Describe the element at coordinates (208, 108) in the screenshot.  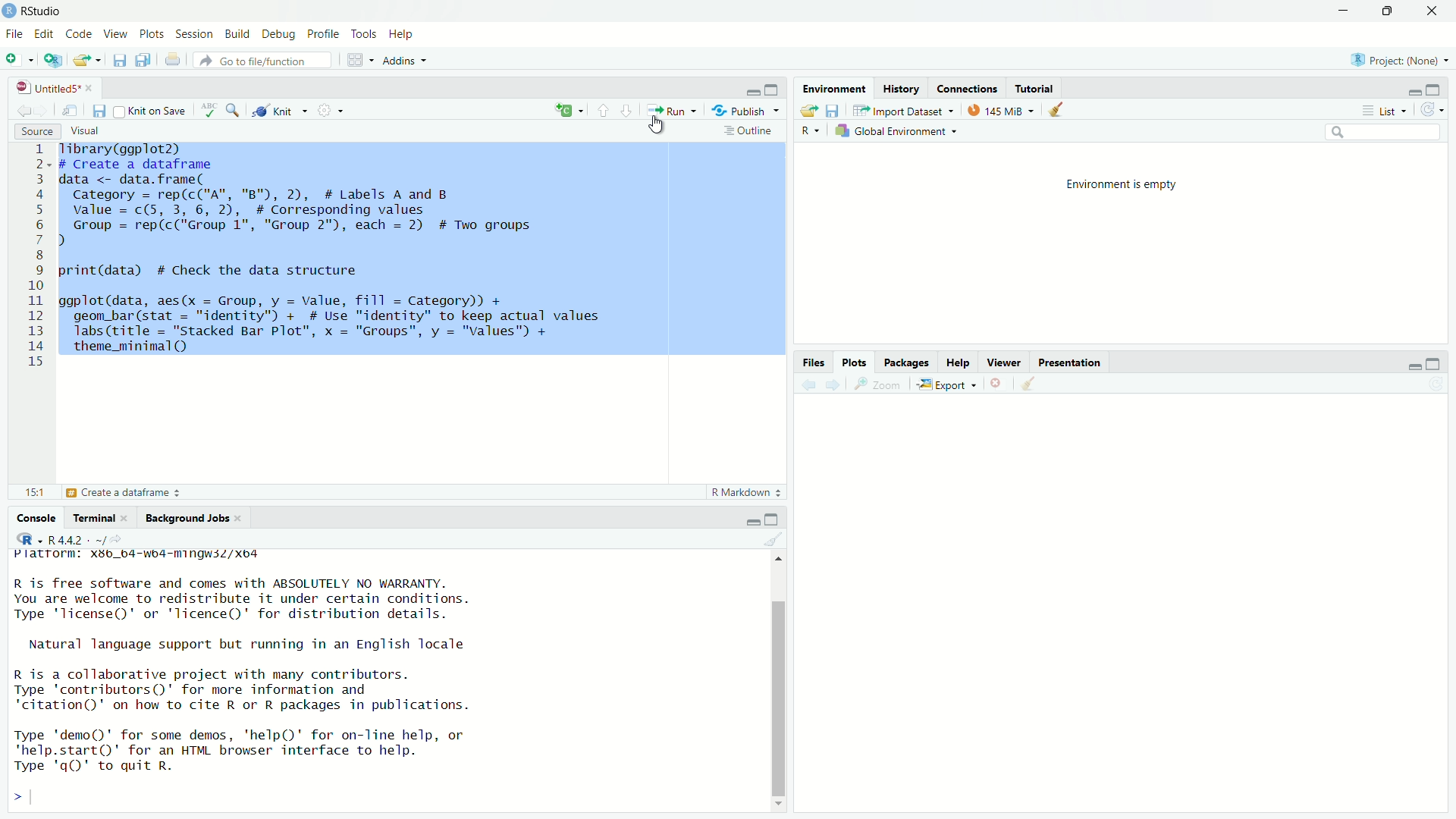
I see `Spell check` at that location.